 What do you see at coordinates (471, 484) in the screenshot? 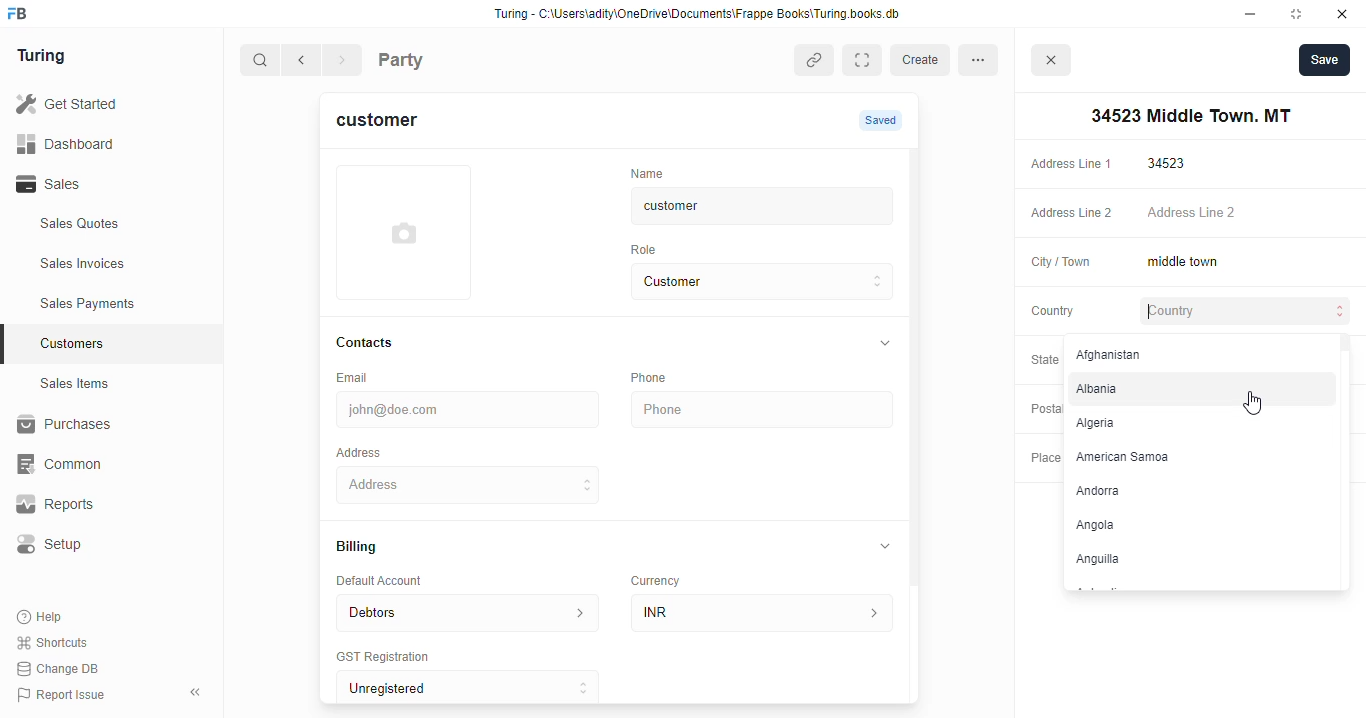
I see `34523 Middle Town. MT` at bounding box center [471, 484].